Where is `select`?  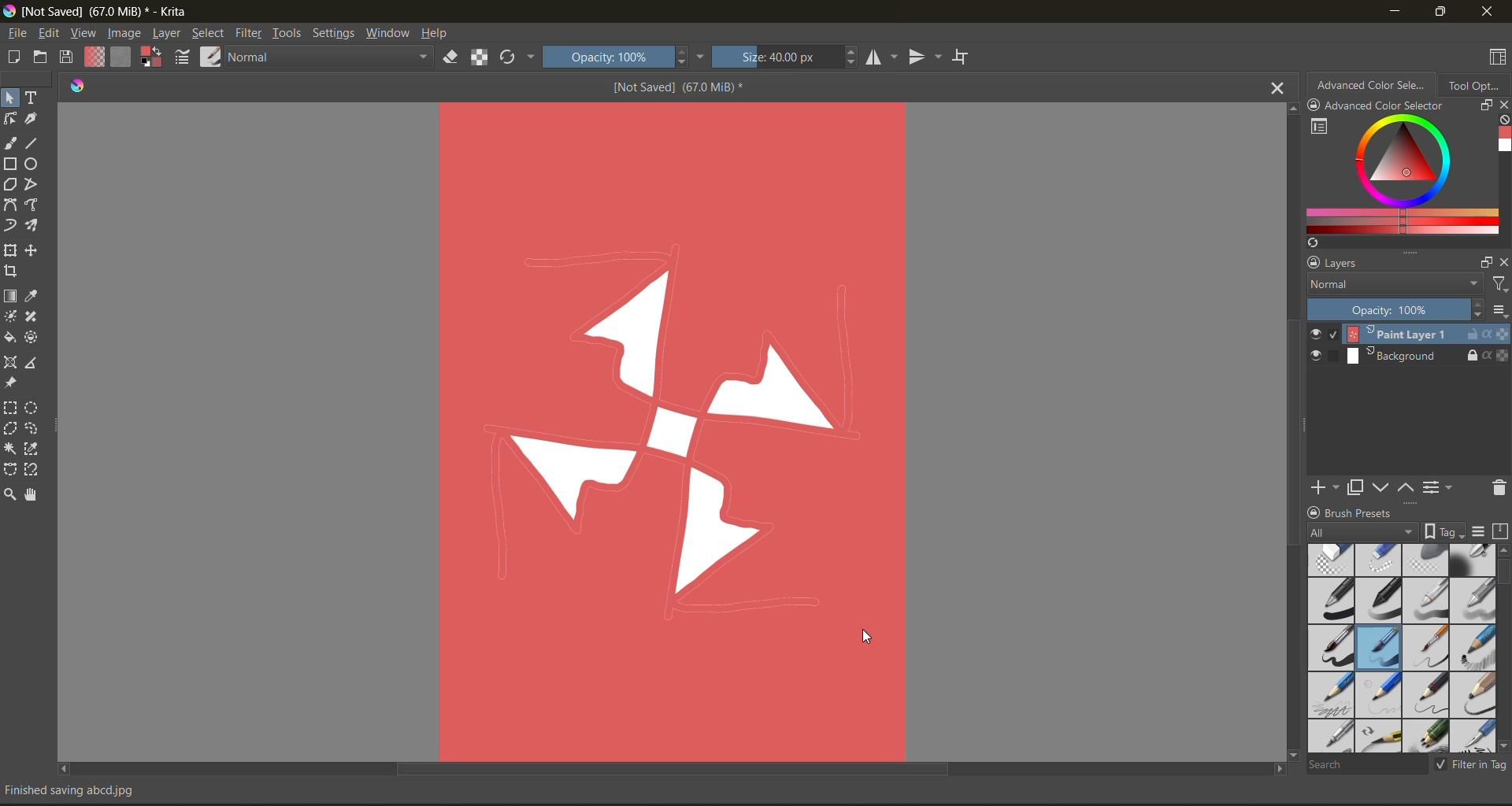
select is located at coordinates (210, 35).